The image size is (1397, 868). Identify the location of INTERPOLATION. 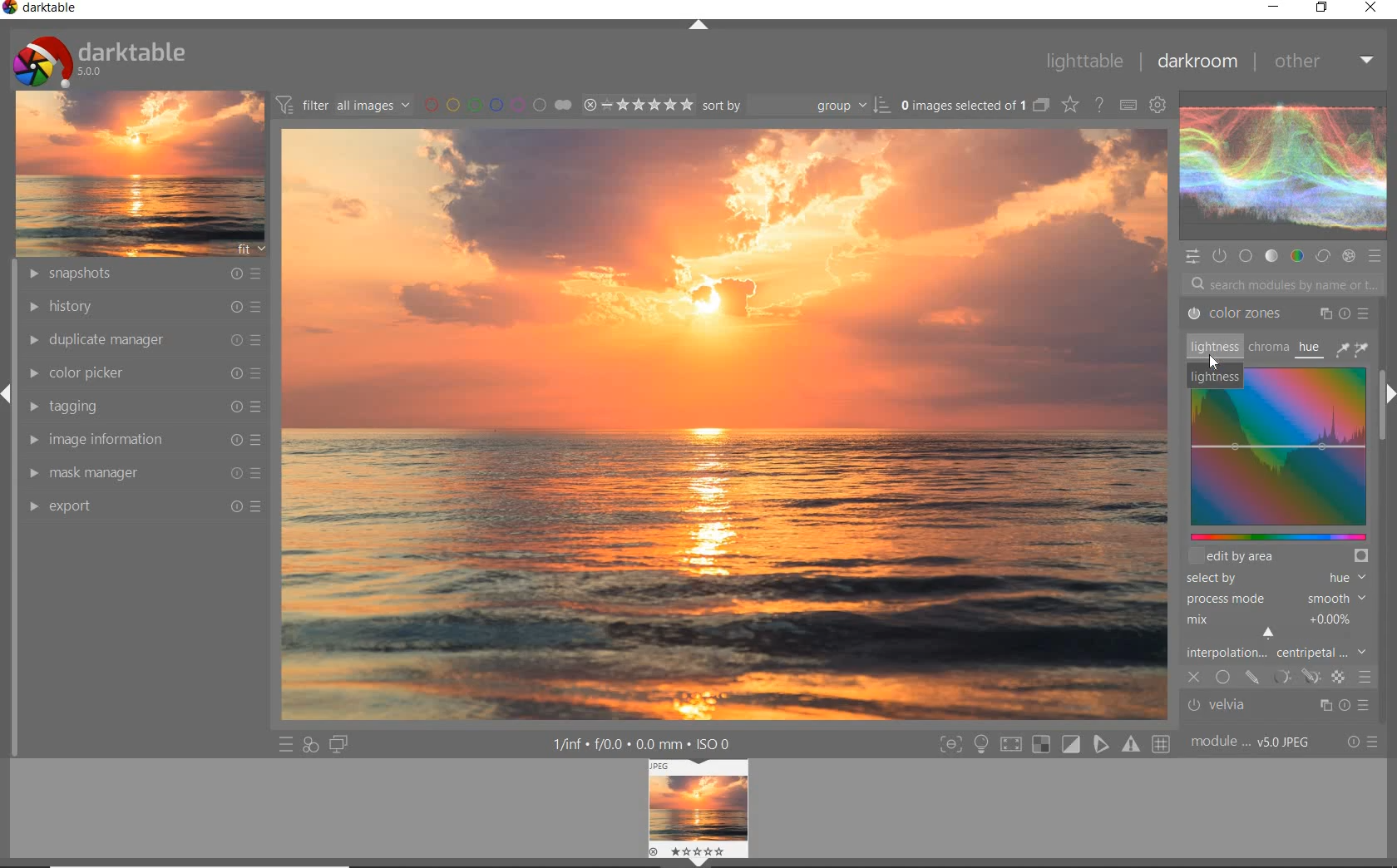
(1281, 635).